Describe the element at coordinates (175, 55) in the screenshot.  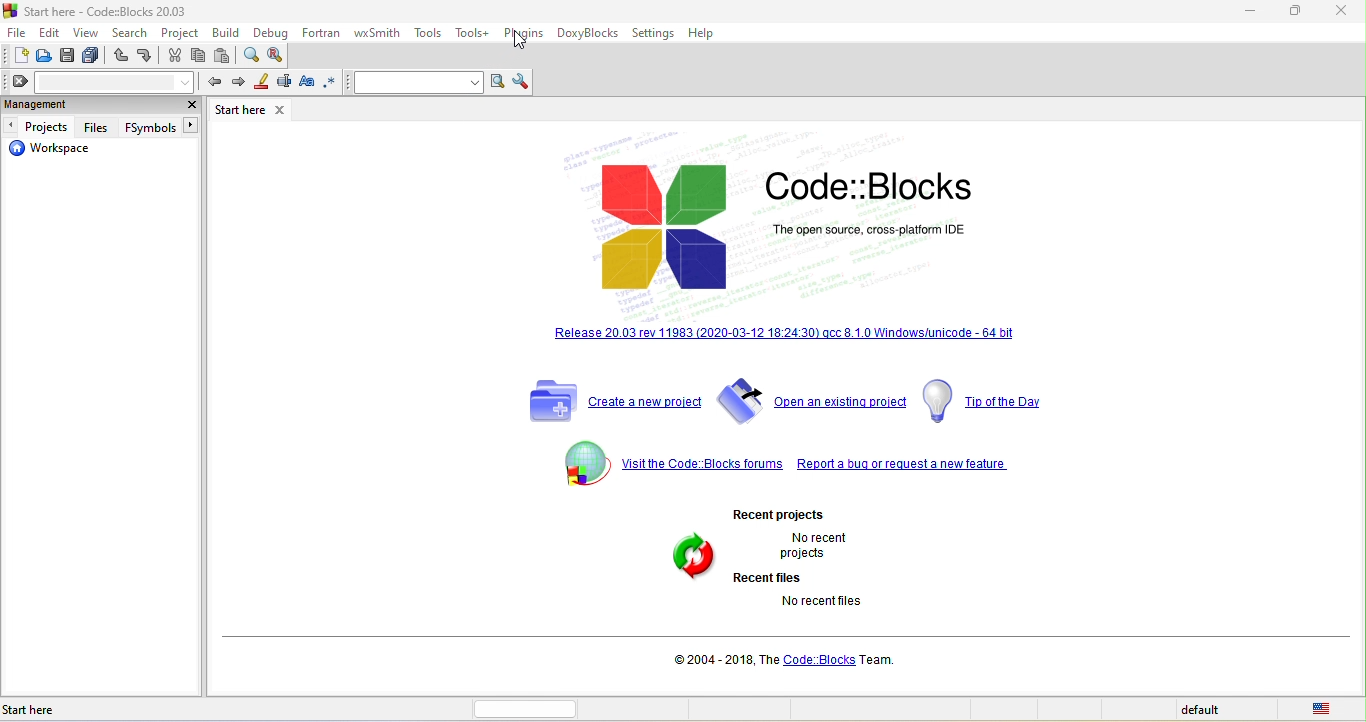
I see `cut` at that location.